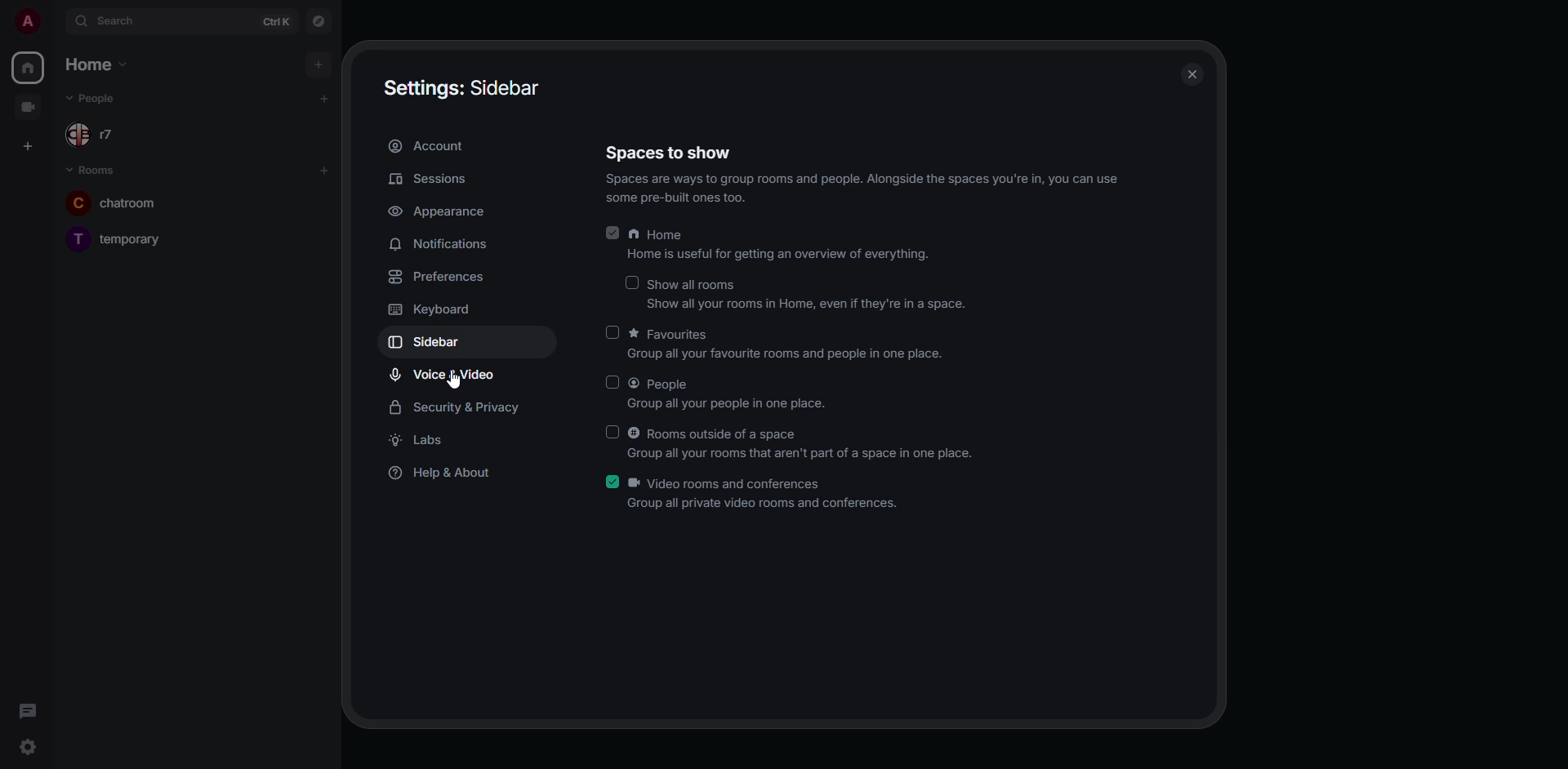  Describe the element at coordinates (1194, 73) in the screenshot. I see `close` at that location.